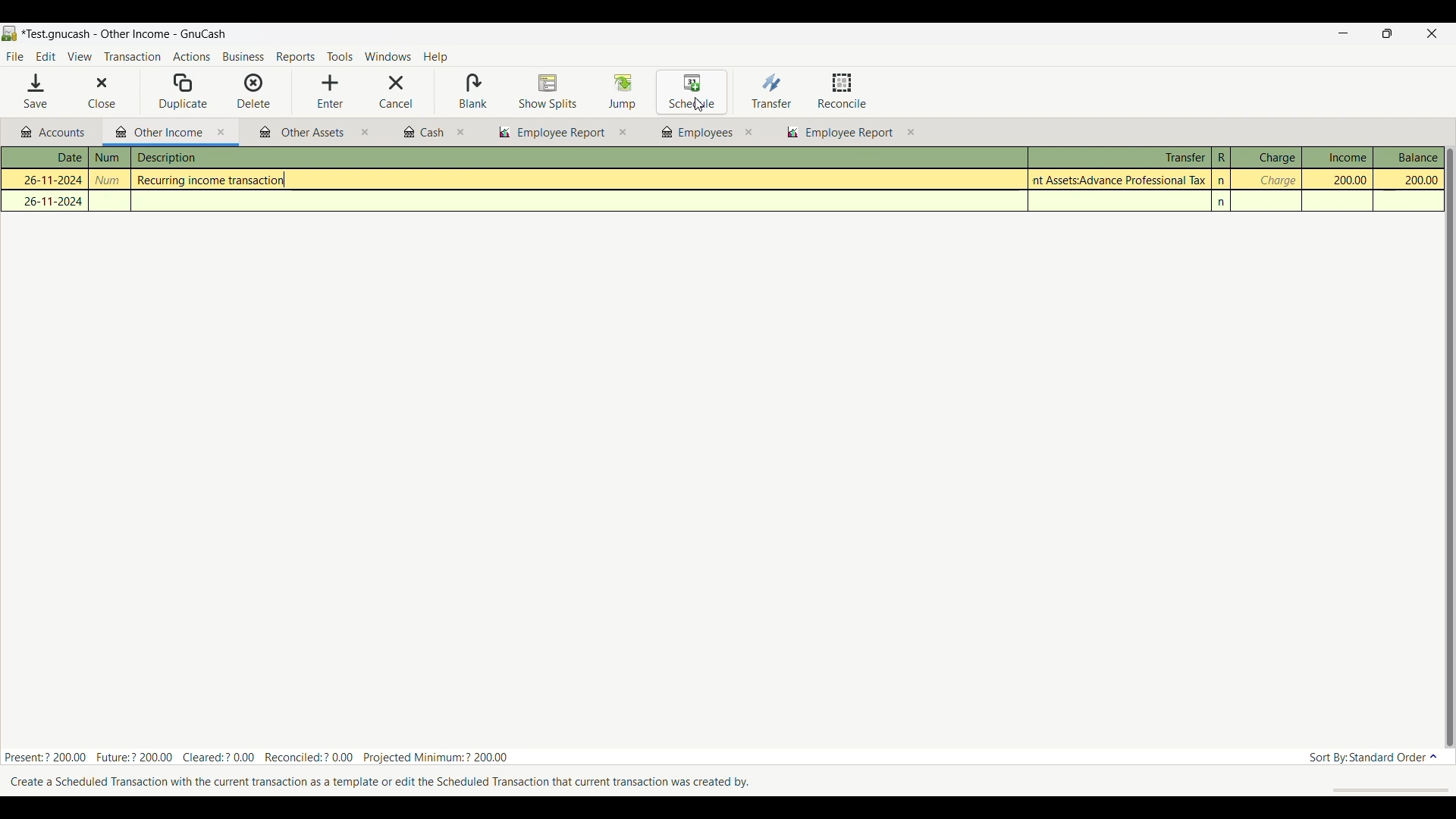 This screenshot has height=819, width=1456. What do you see at coordinates (254, 90) in the screenshot?
I see `Delete` at bounding box center [254, 90].